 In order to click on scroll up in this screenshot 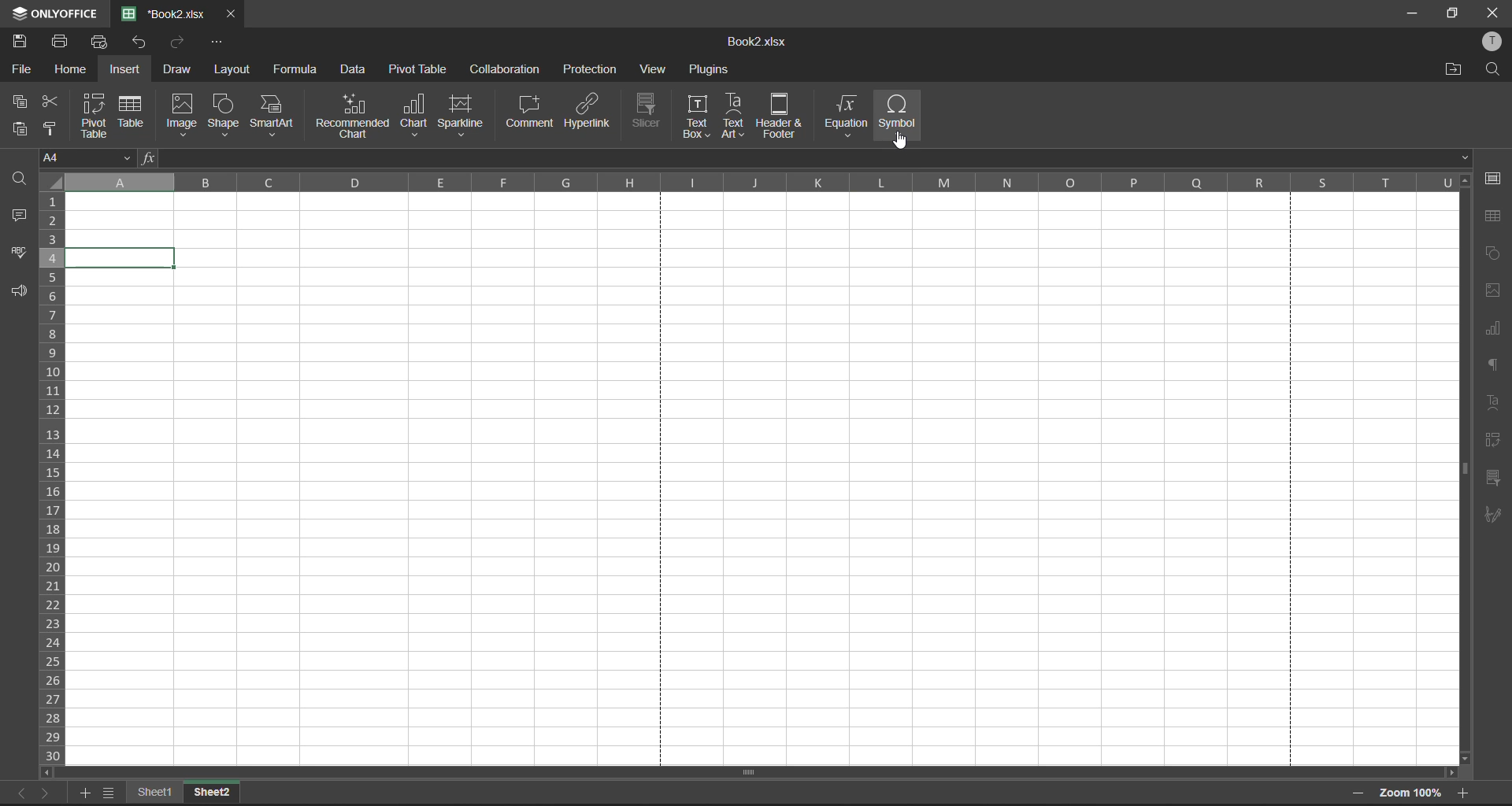, I will do `click(1466, 183)`.